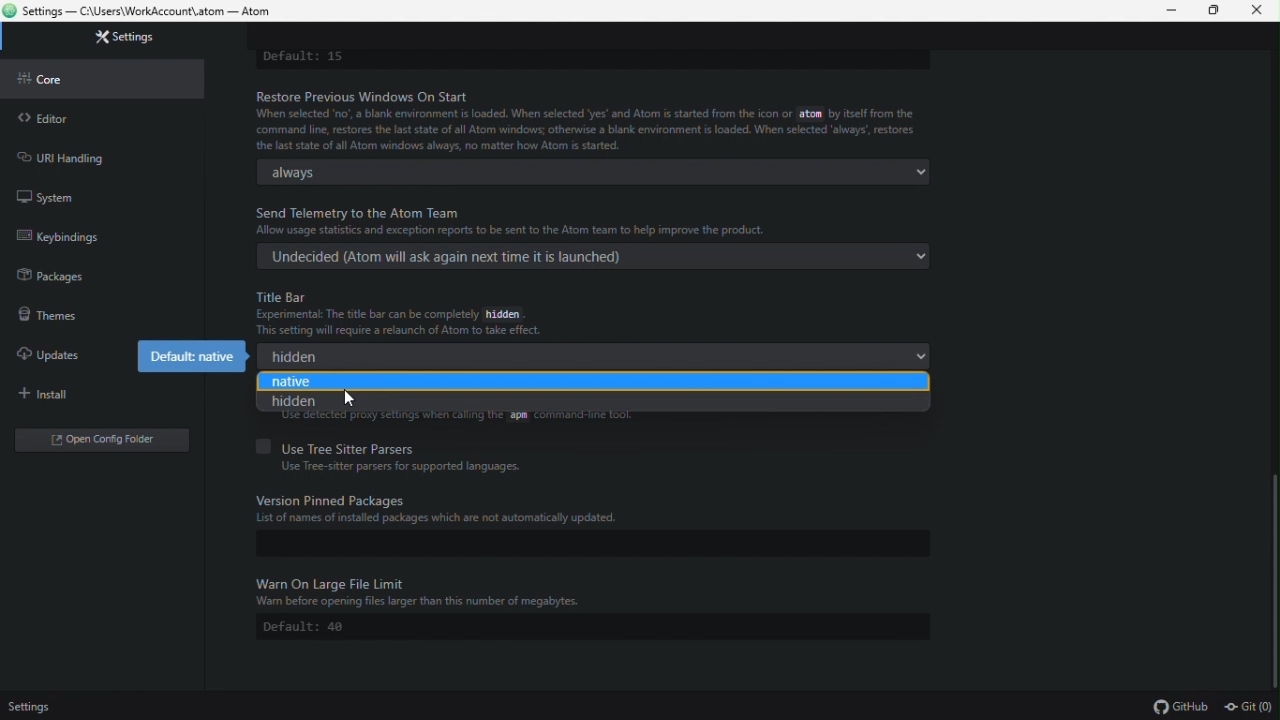 This screenshot has height=720, width=1280. What do you see at coordinates (1180, 707) in the screenshot?
I see `github` at bounding box center [1180, 707].